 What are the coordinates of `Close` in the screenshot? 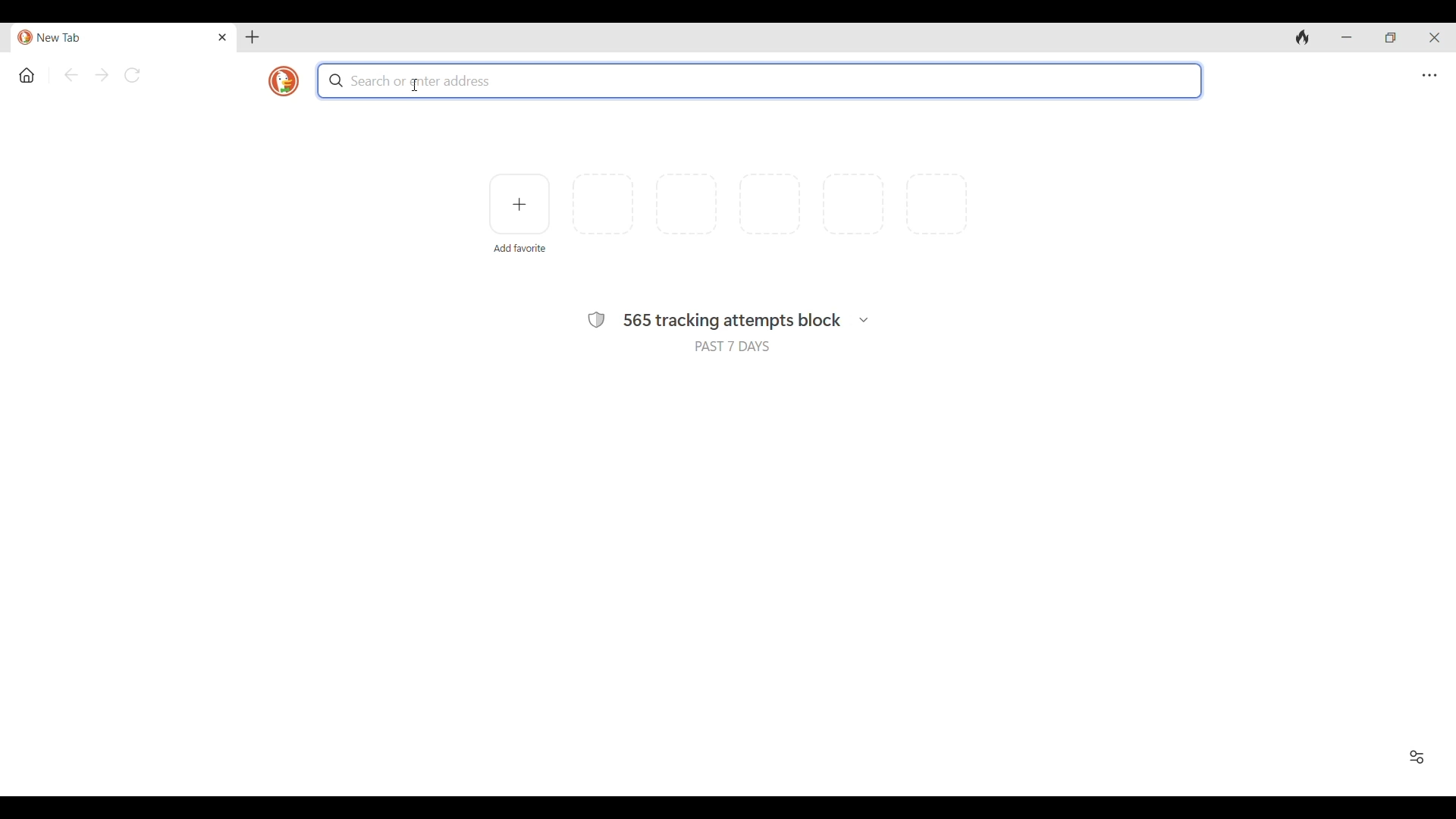 It's located at (223, 37).